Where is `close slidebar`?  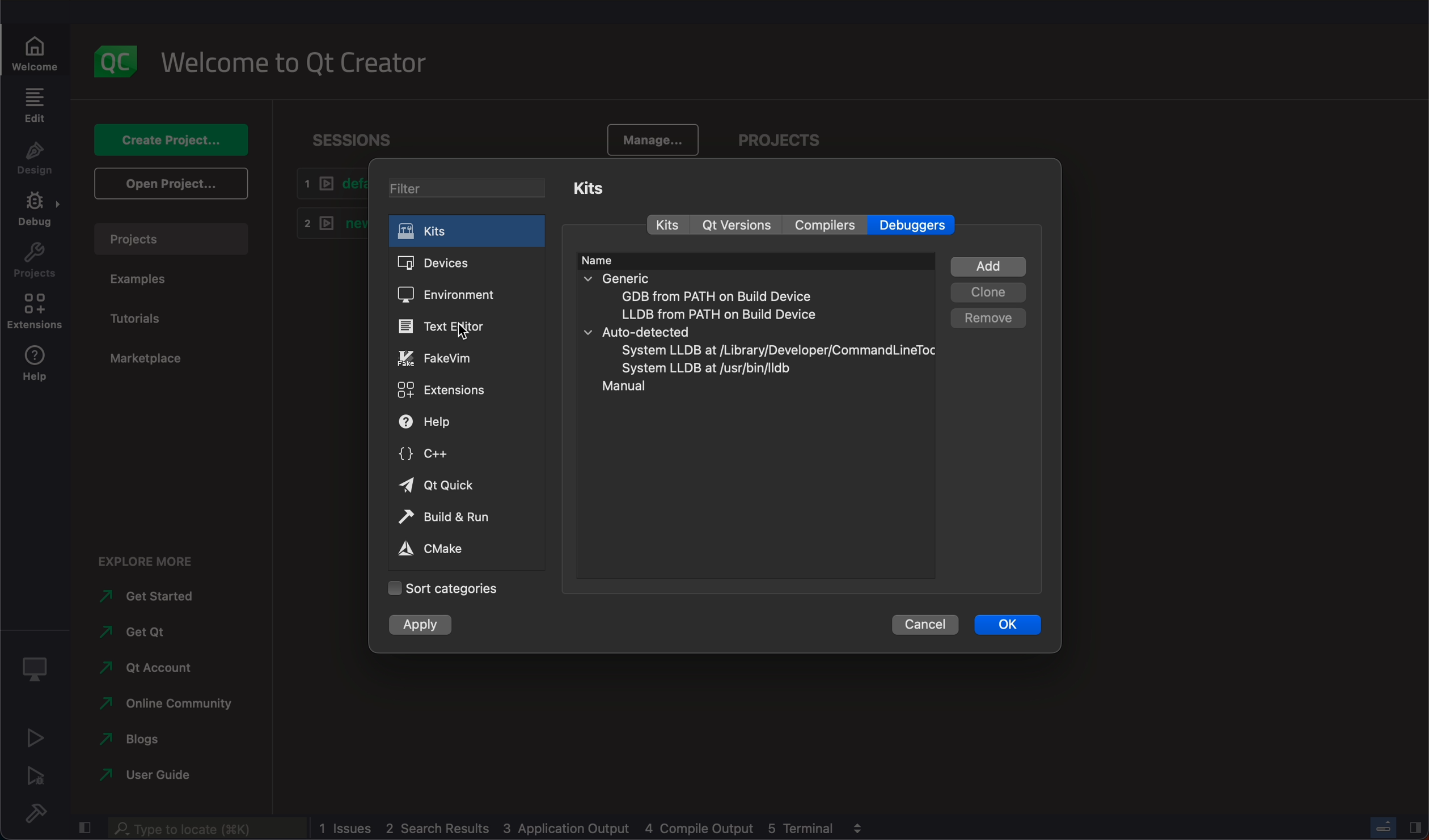
close slidebar is located at coordinates (1416, 828).